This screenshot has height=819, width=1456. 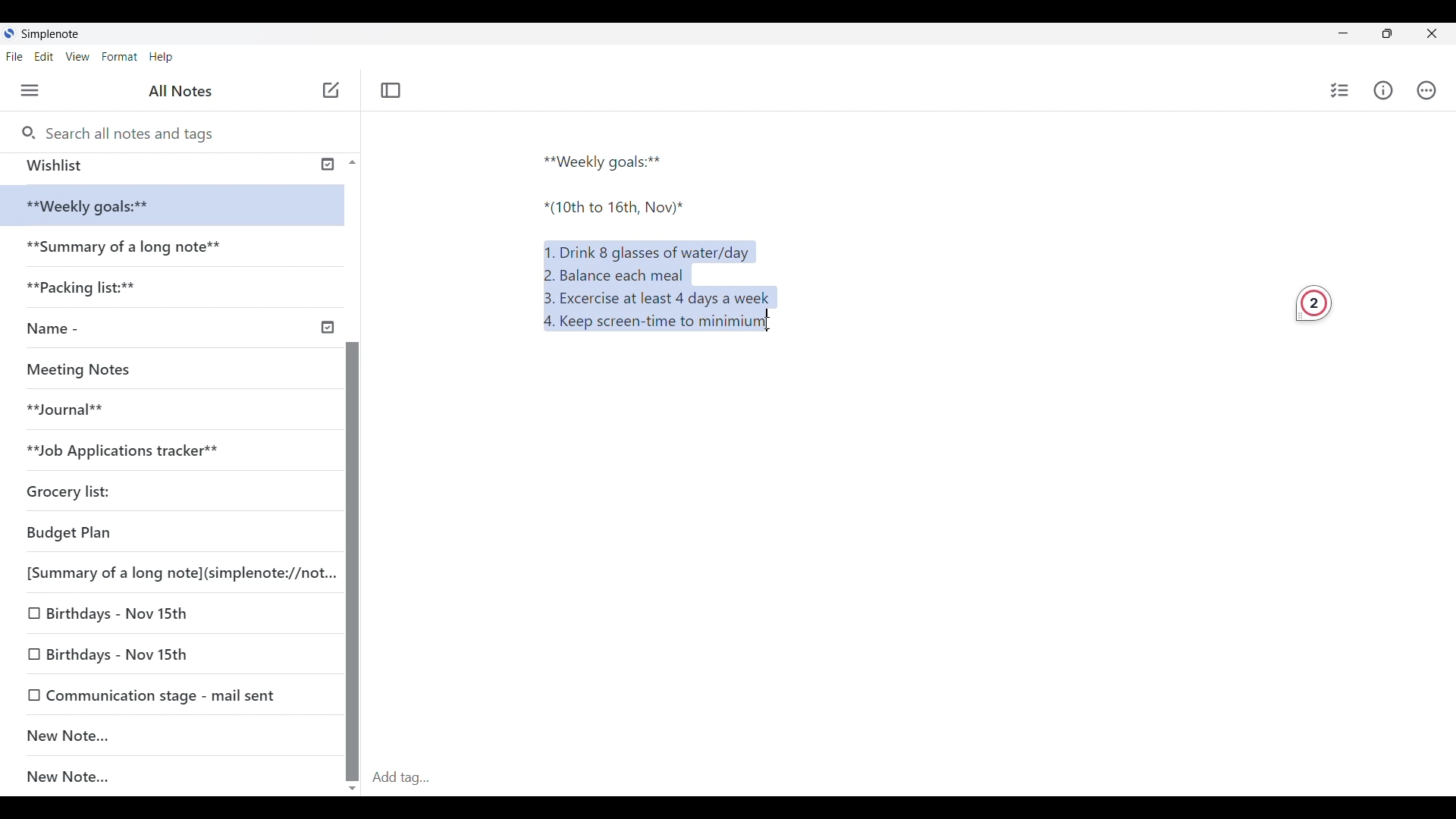 What do you see at coordinates (184, 91) in the screenshot?
I see `All notes` at bounding box center [184, 91].